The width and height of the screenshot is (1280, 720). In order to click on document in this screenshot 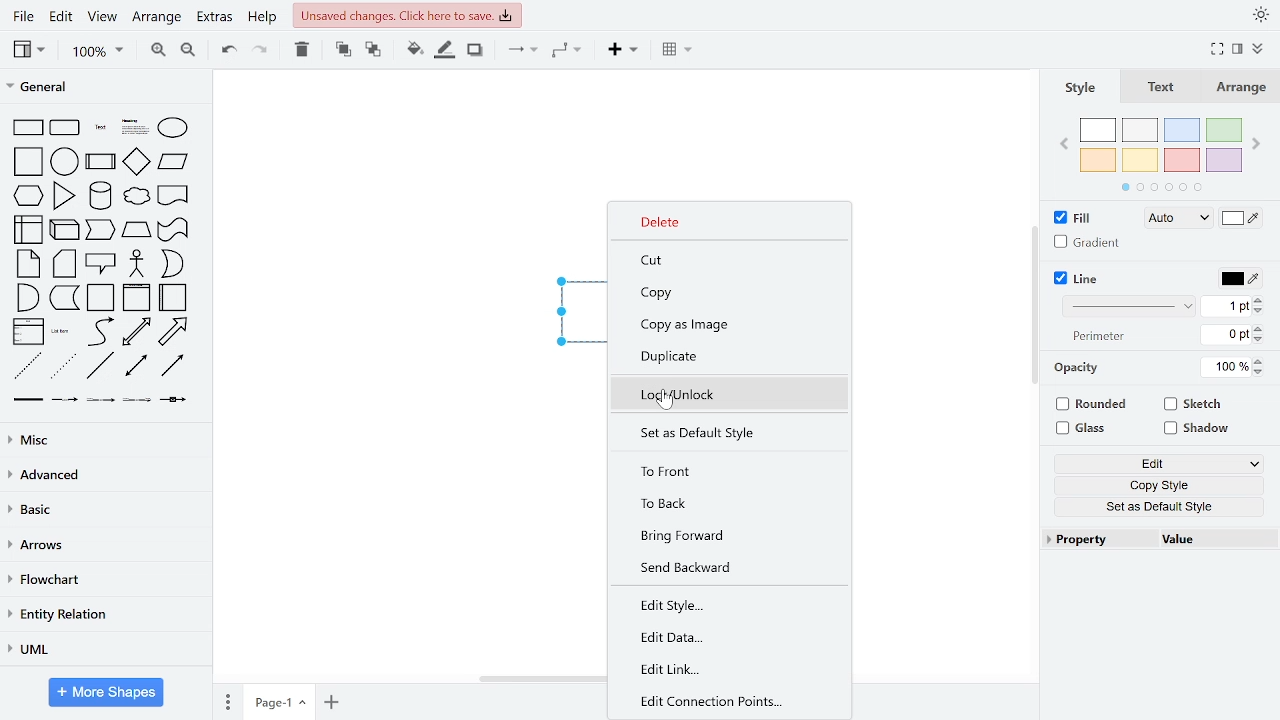, I will do `click(173, 196)`.